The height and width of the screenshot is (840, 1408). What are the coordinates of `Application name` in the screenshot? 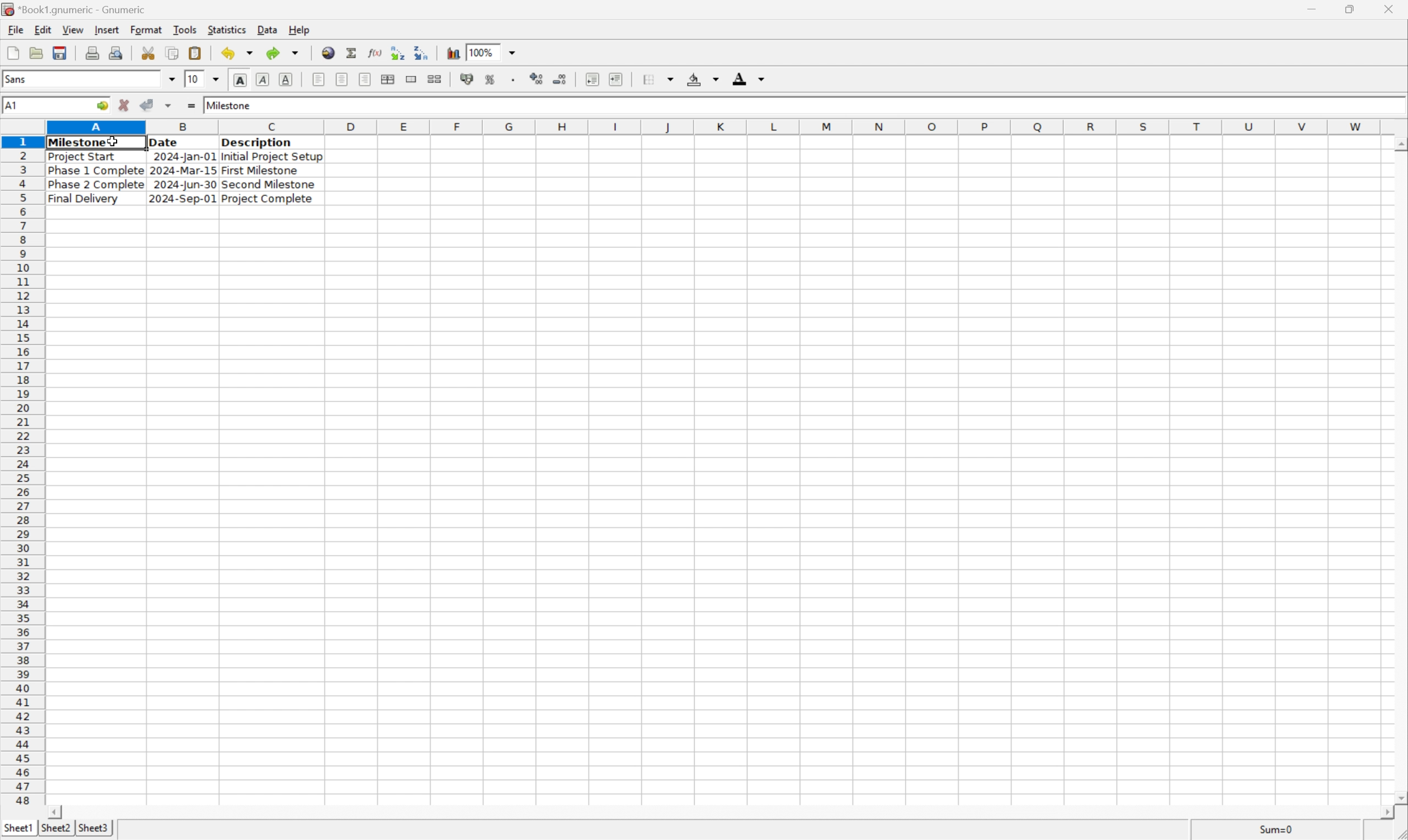 It's located at (75, 10).